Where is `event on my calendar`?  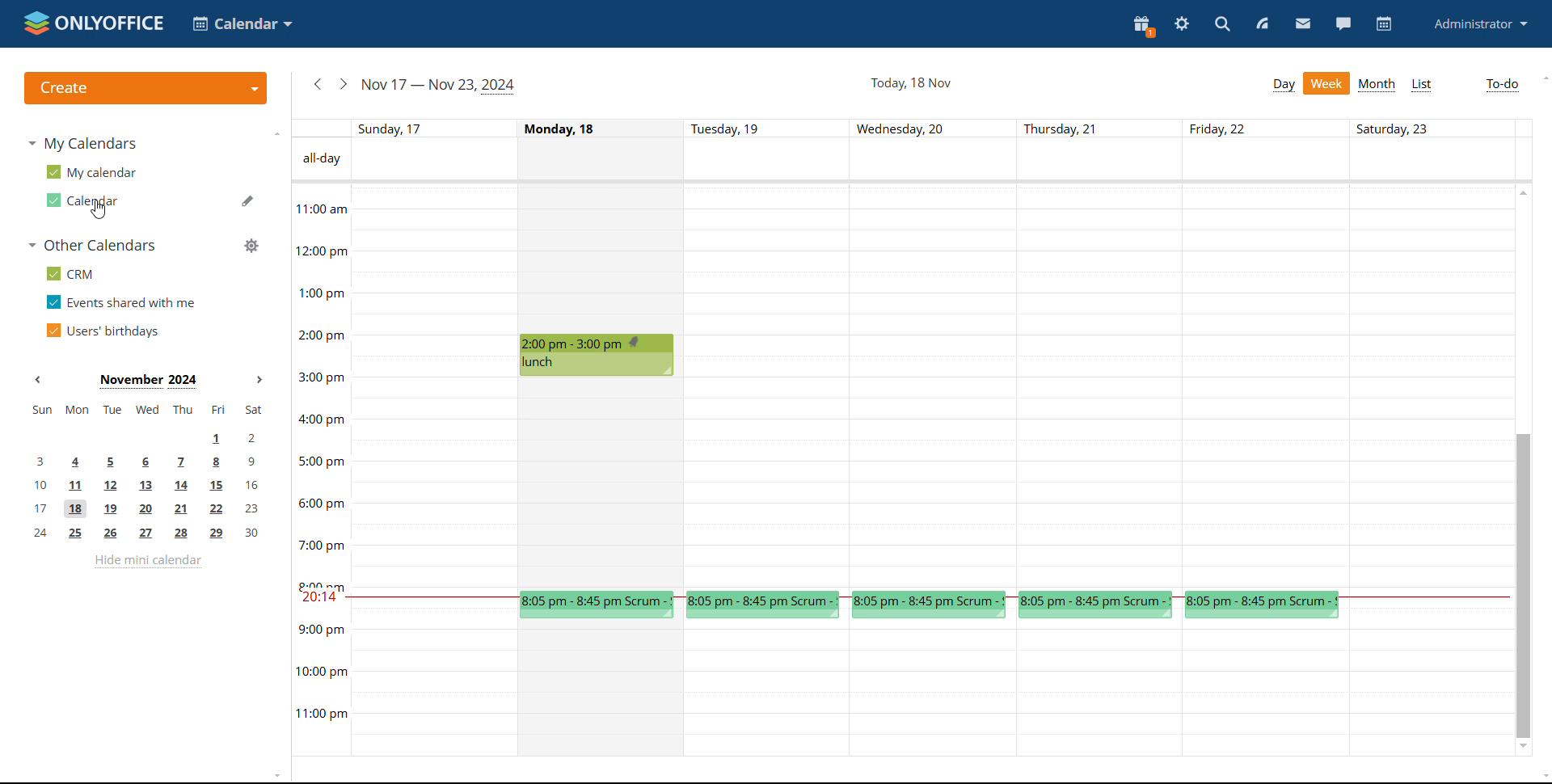 event on my calendar is located at coordinates (598, 355).